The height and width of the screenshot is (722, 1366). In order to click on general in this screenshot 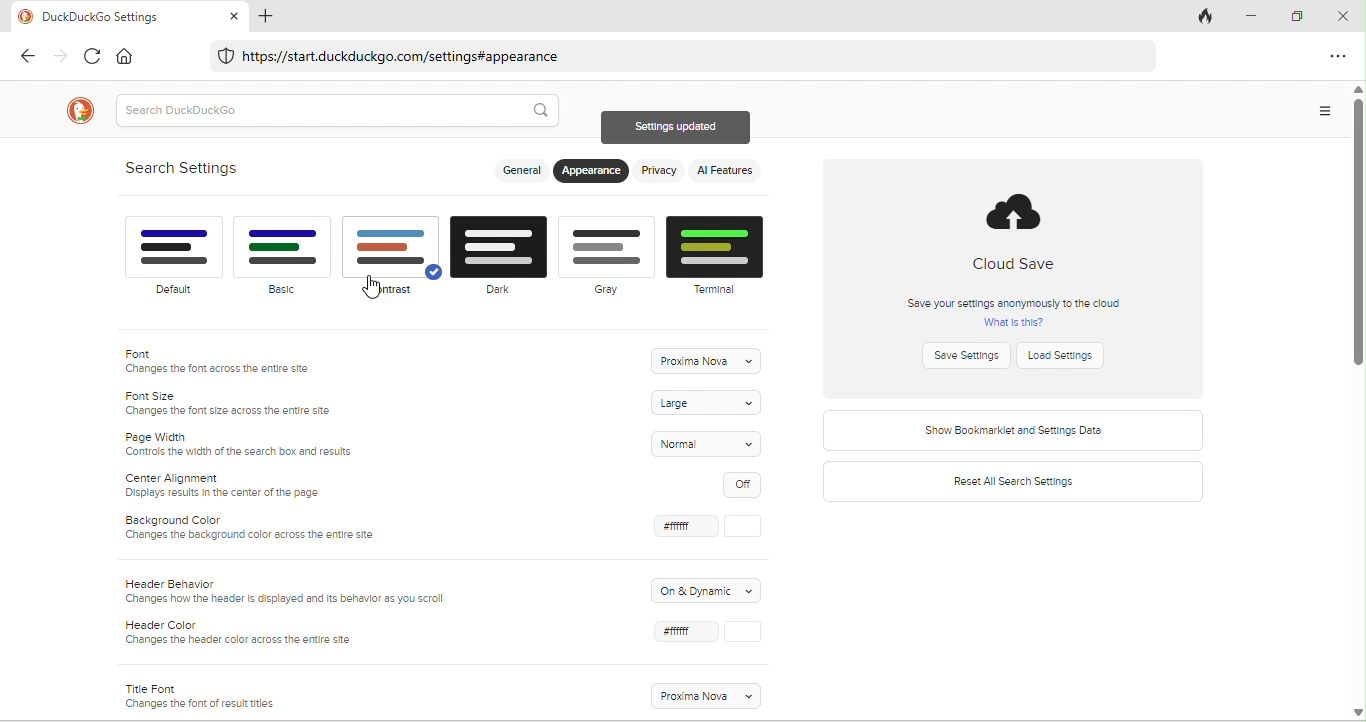, I will do `click(520, 172)`.